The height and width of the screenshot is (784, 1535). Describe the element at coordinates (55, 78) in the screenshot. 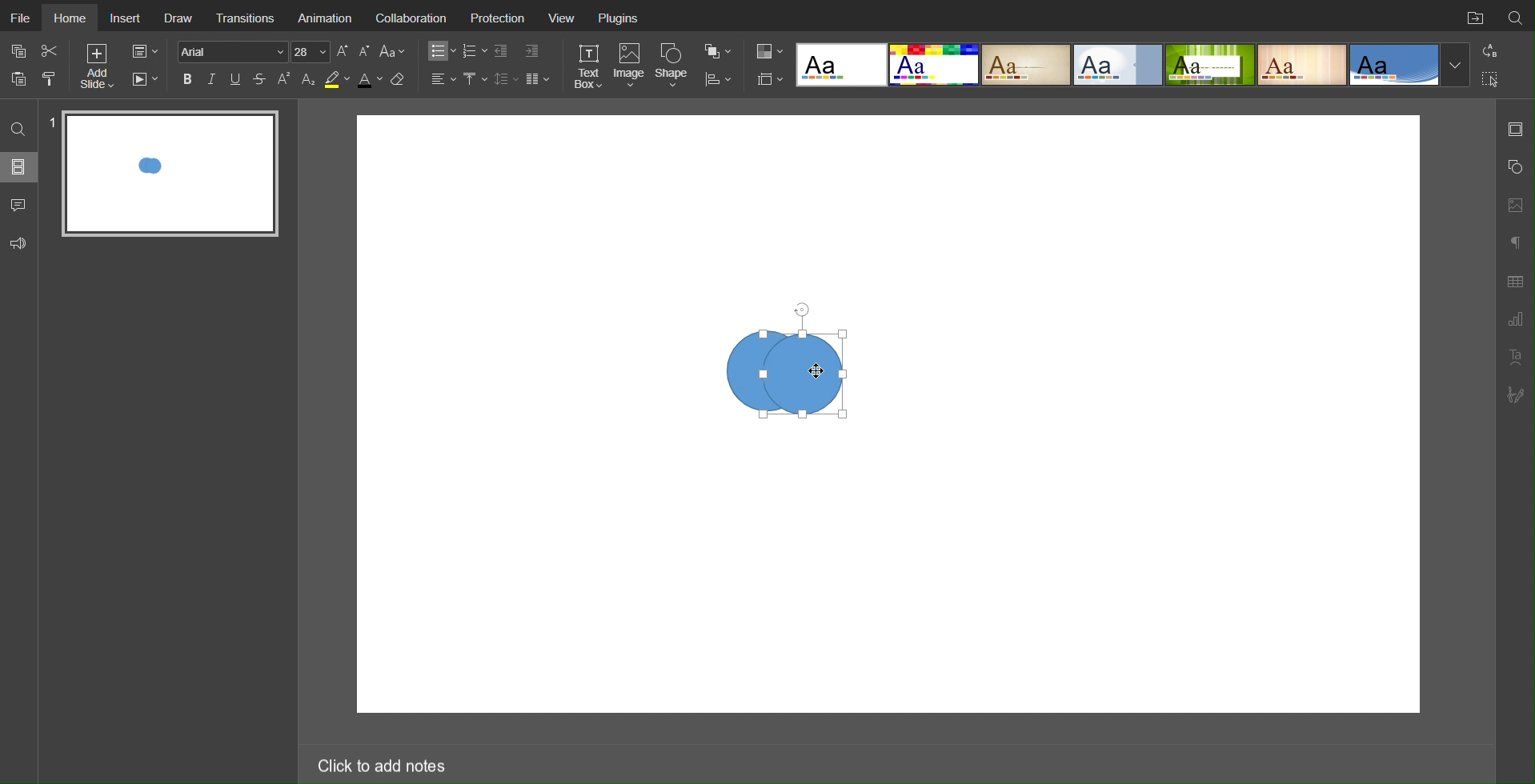

I see `copy style` at that location.